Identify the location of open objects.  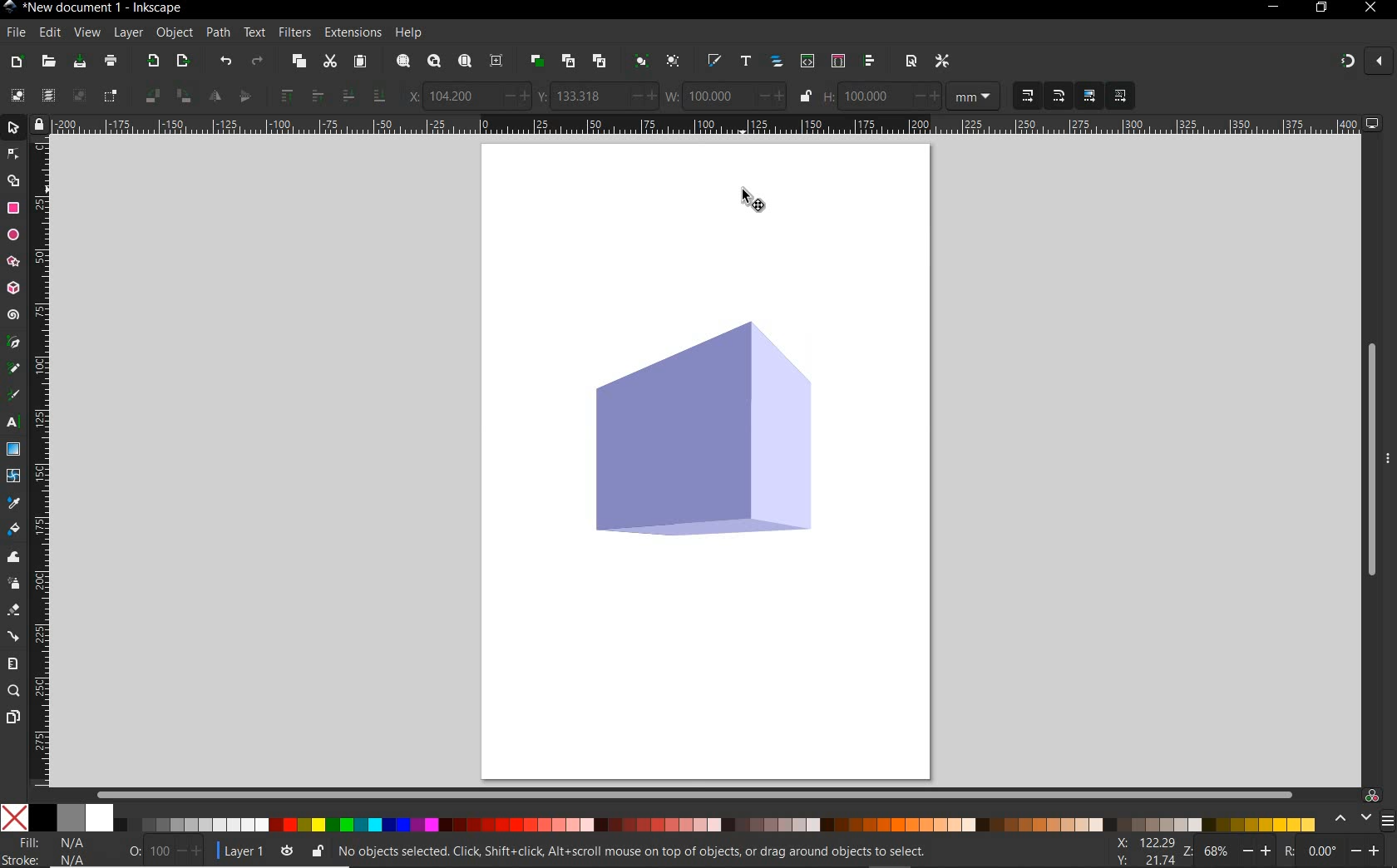
(777, 60).